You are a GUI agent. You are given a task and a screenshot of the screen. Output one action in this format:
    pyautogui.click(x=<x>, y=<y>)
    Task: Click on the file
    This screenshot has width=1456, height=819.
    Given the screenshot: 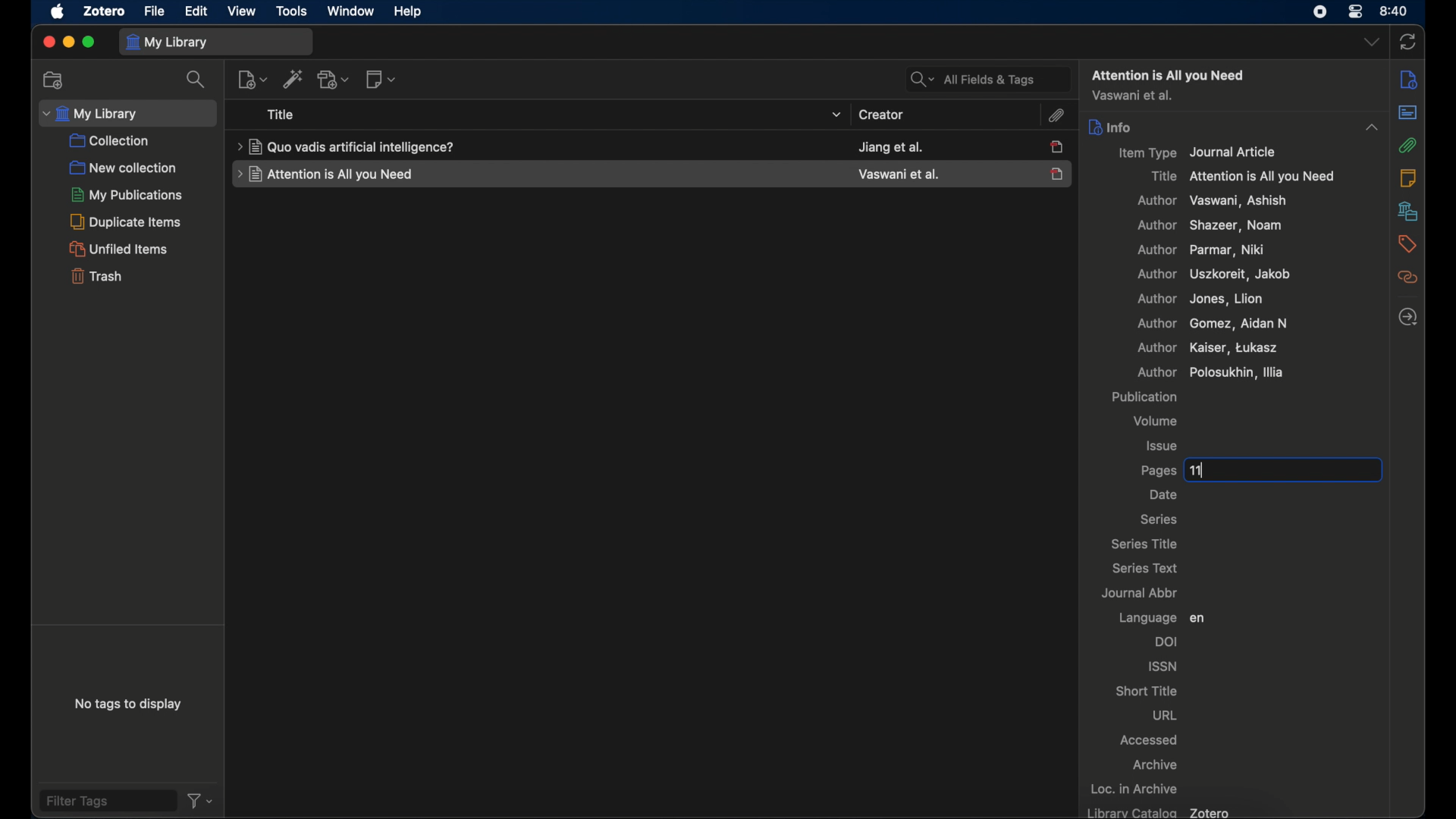 What is the action you would take?
    pyautogui.click(x=154, y=11)
    